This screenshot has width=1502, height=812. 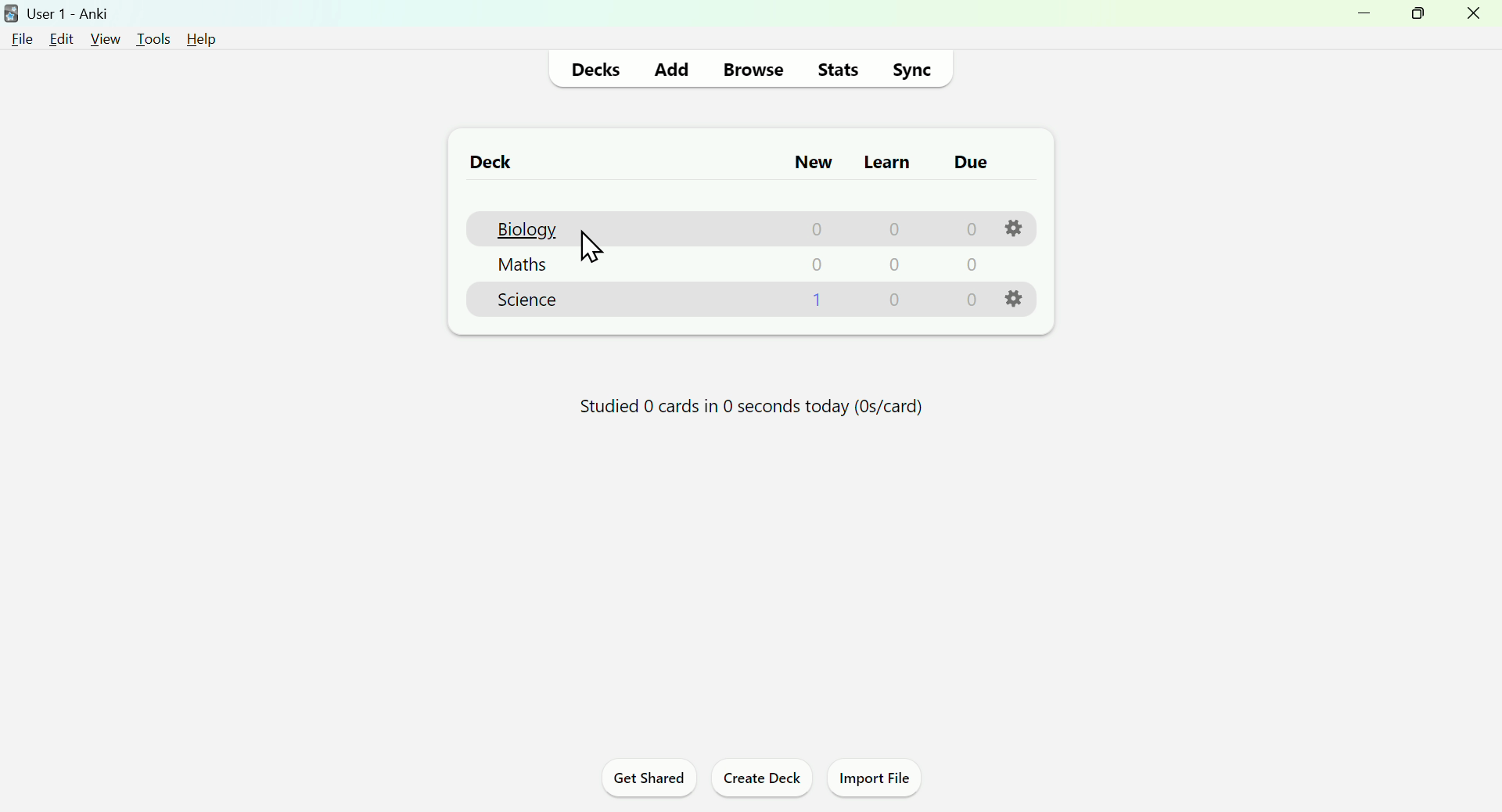 I want to click on minimize, so click(x=1367, y=16).